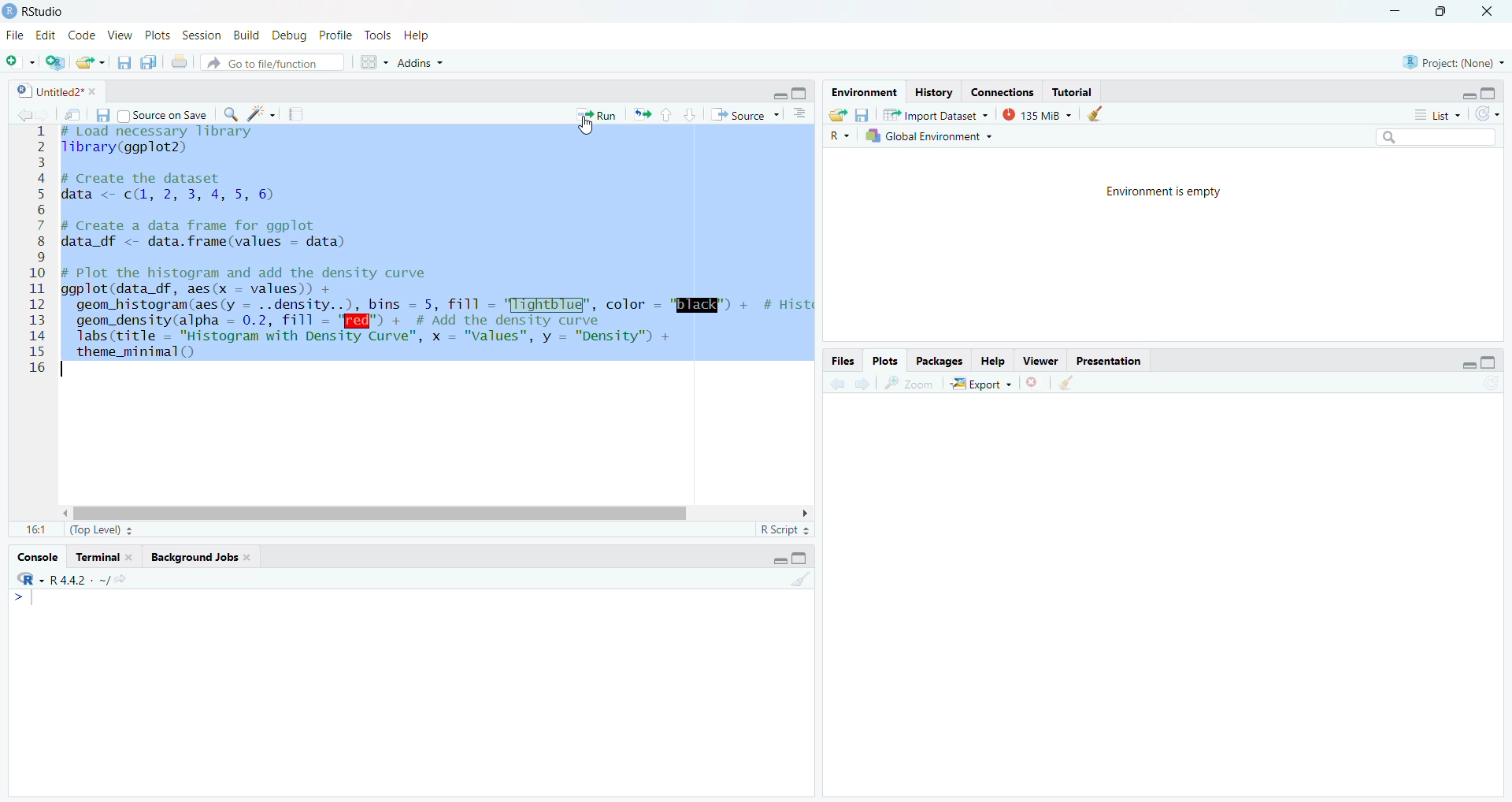 The height and width of the screenshot is (802, 1512). Describe the element at coordinates (862, 115) in the screenshot. I see `save workspace as` at that location.